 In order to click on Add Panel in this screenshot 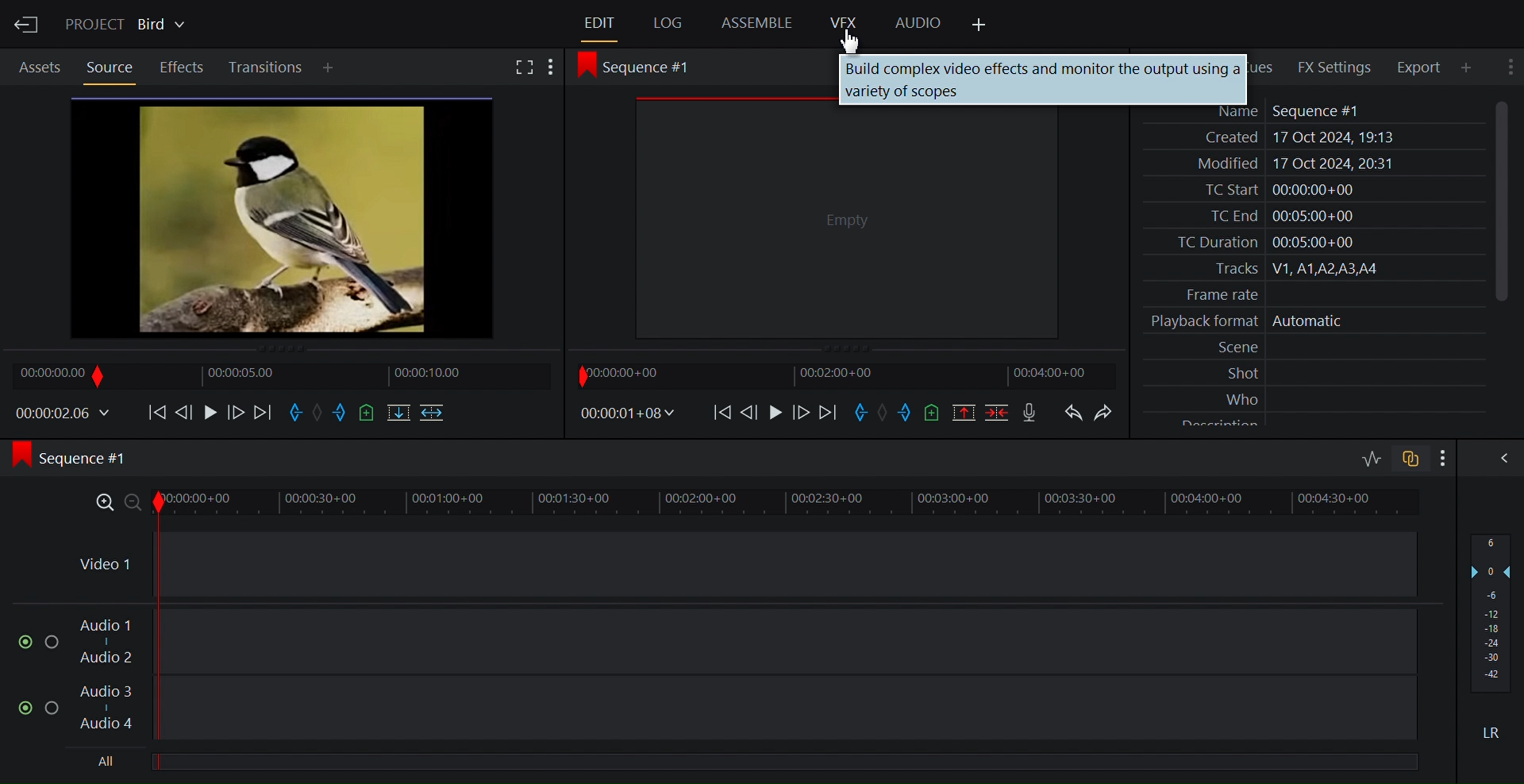, I will do `click(1469, 66)`.